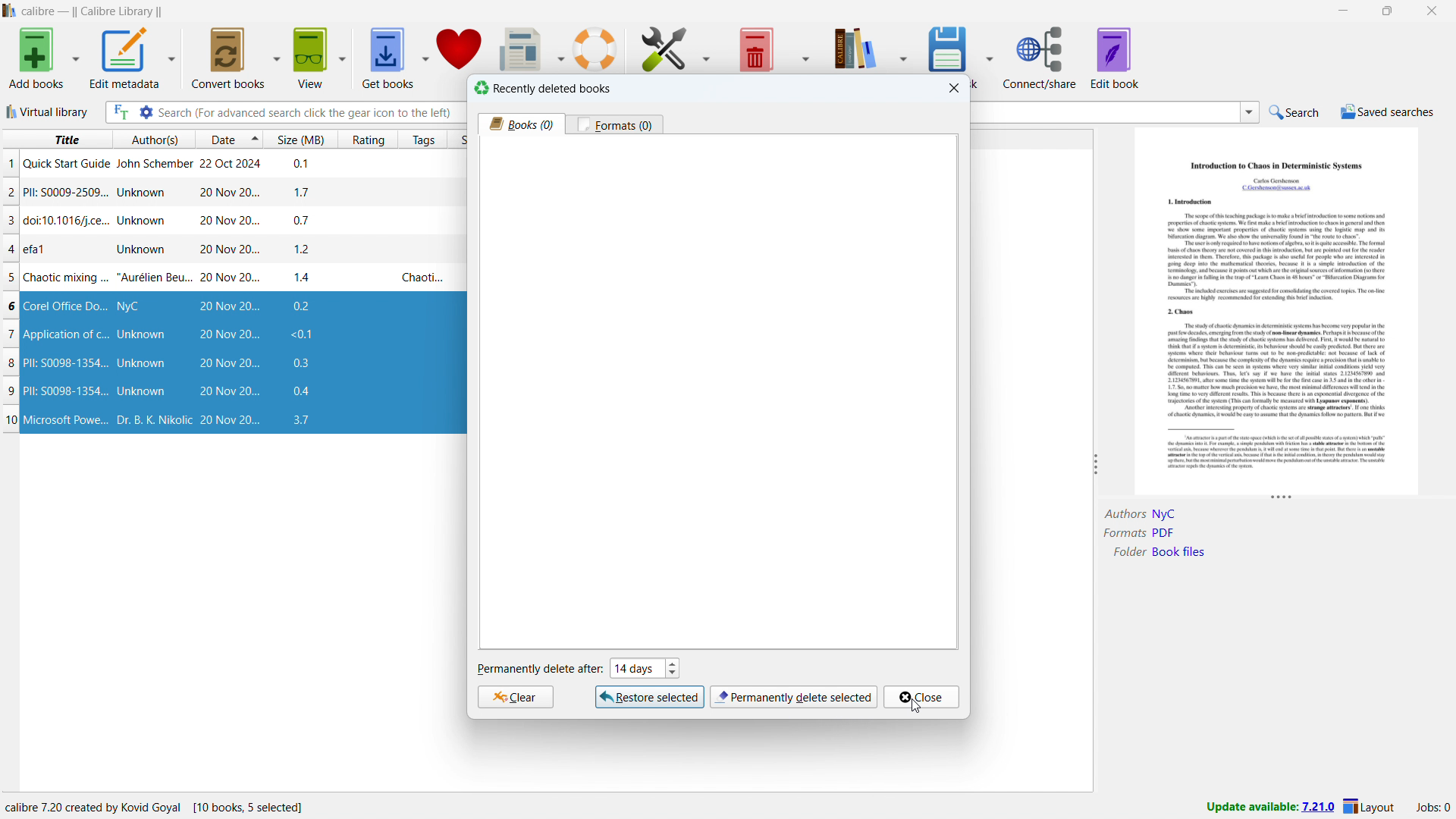 This screenshot has width=1456, height=819. What do you see at coordinates (955, 88) in the screenshot?
I see `close` at bounding box center [955, 88].